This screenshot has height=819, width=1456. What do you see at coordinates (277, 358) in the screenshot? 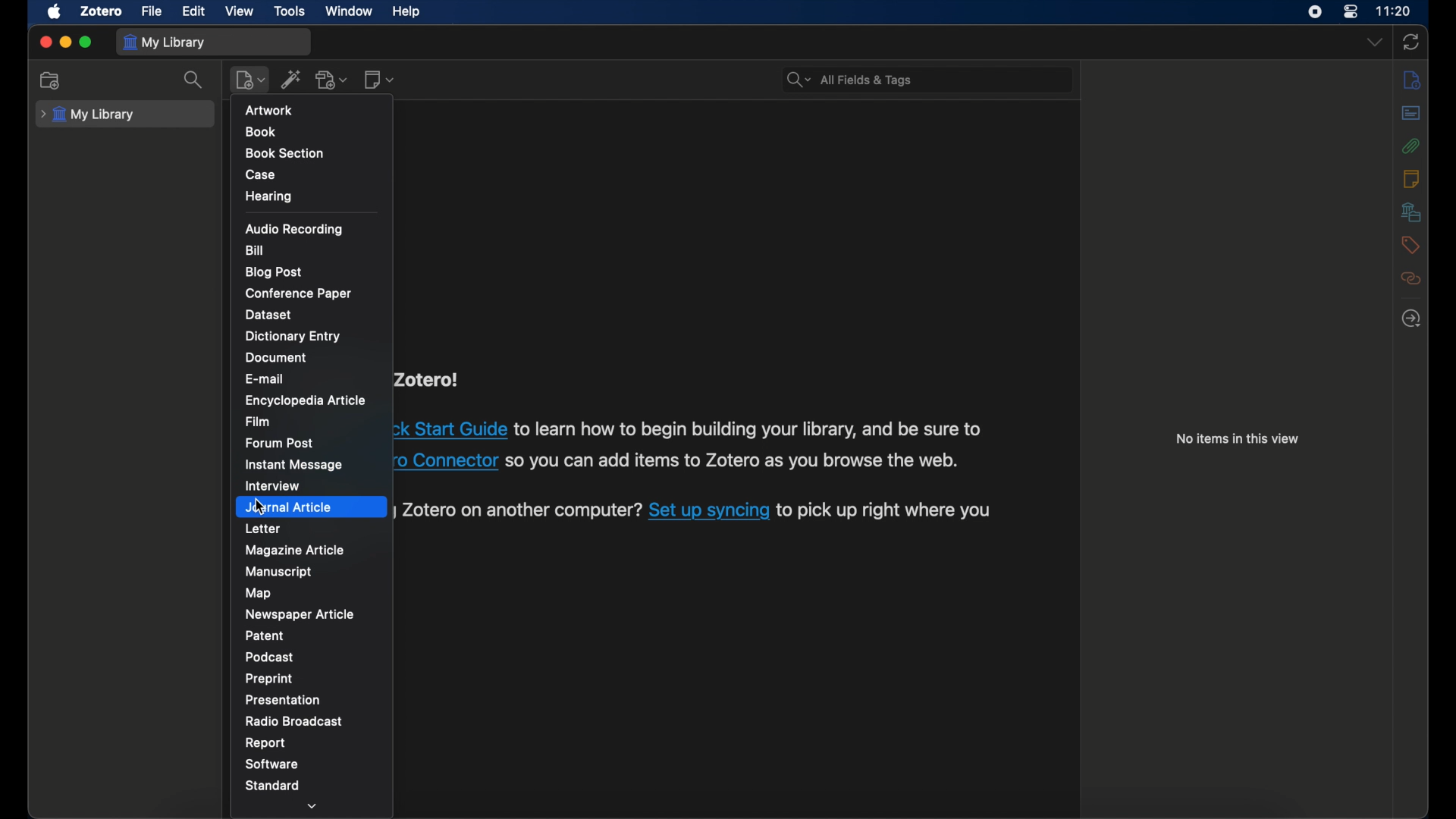
I see `document` at bounding box center [277, 358].